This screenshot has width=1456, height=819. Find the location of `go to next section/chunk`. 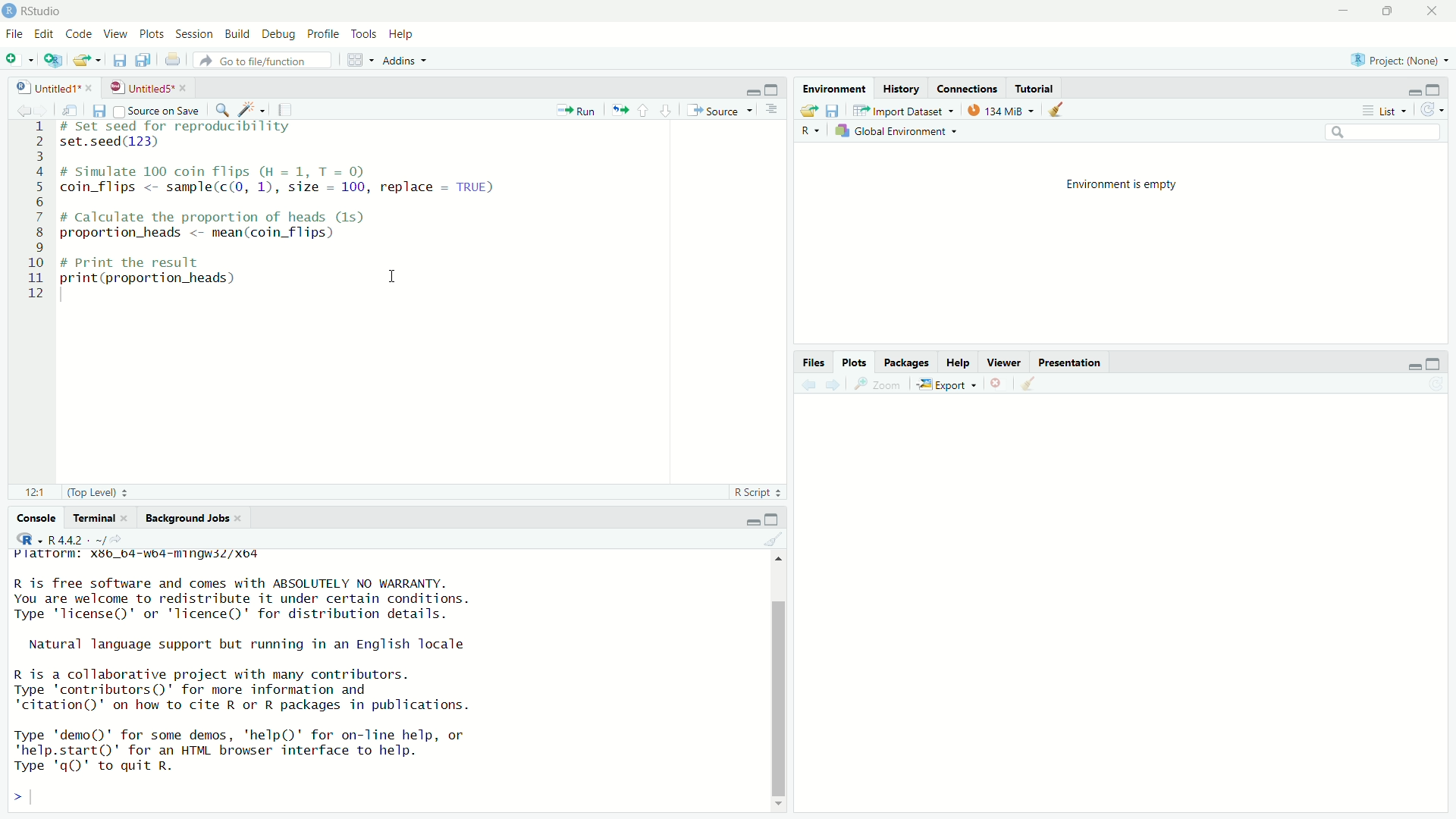

go to next section/chunk is located at coordinates (667, 111).